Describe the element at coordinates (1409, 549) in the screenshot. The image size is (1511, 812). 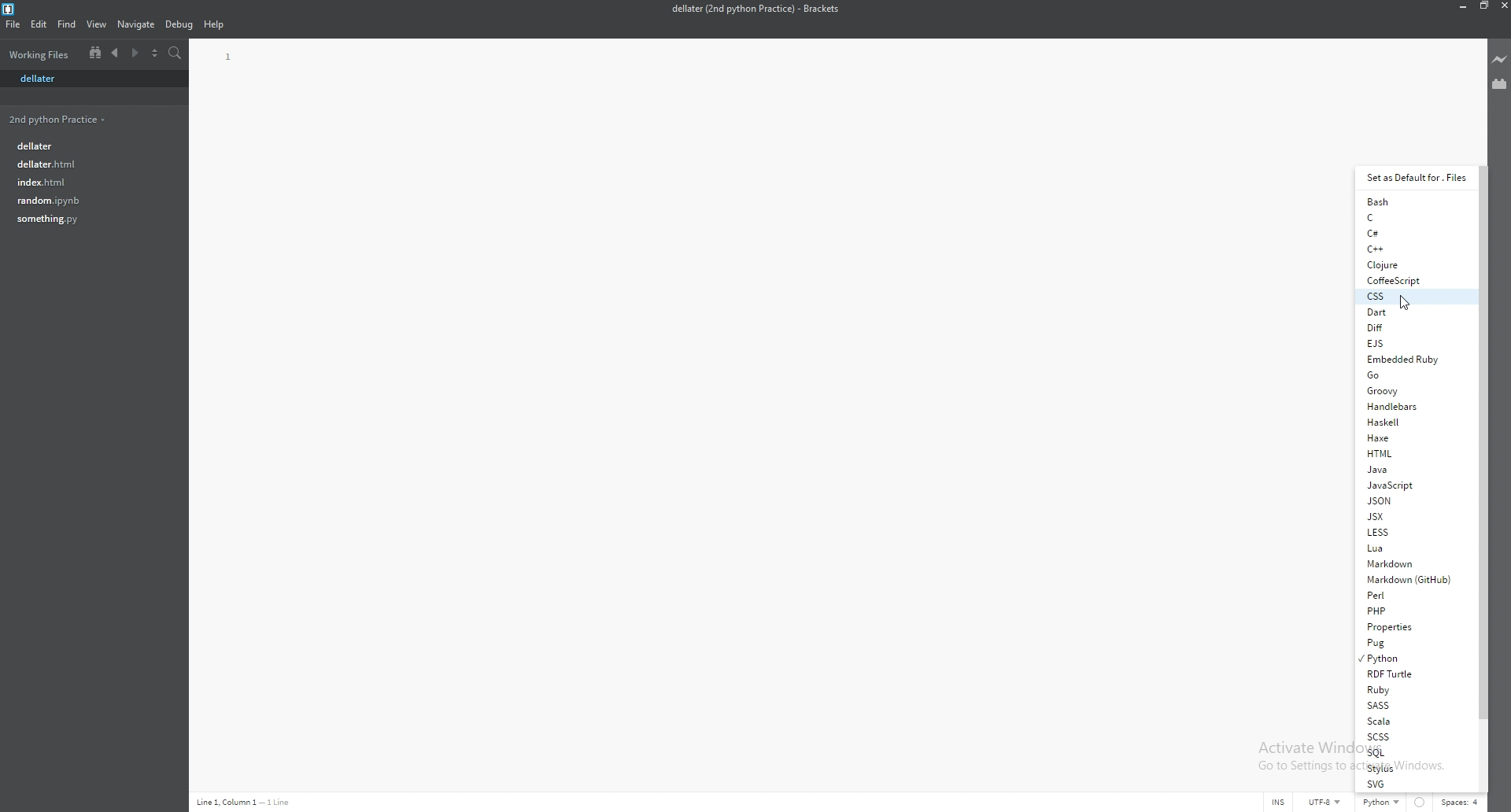
I see `lua` at that location.